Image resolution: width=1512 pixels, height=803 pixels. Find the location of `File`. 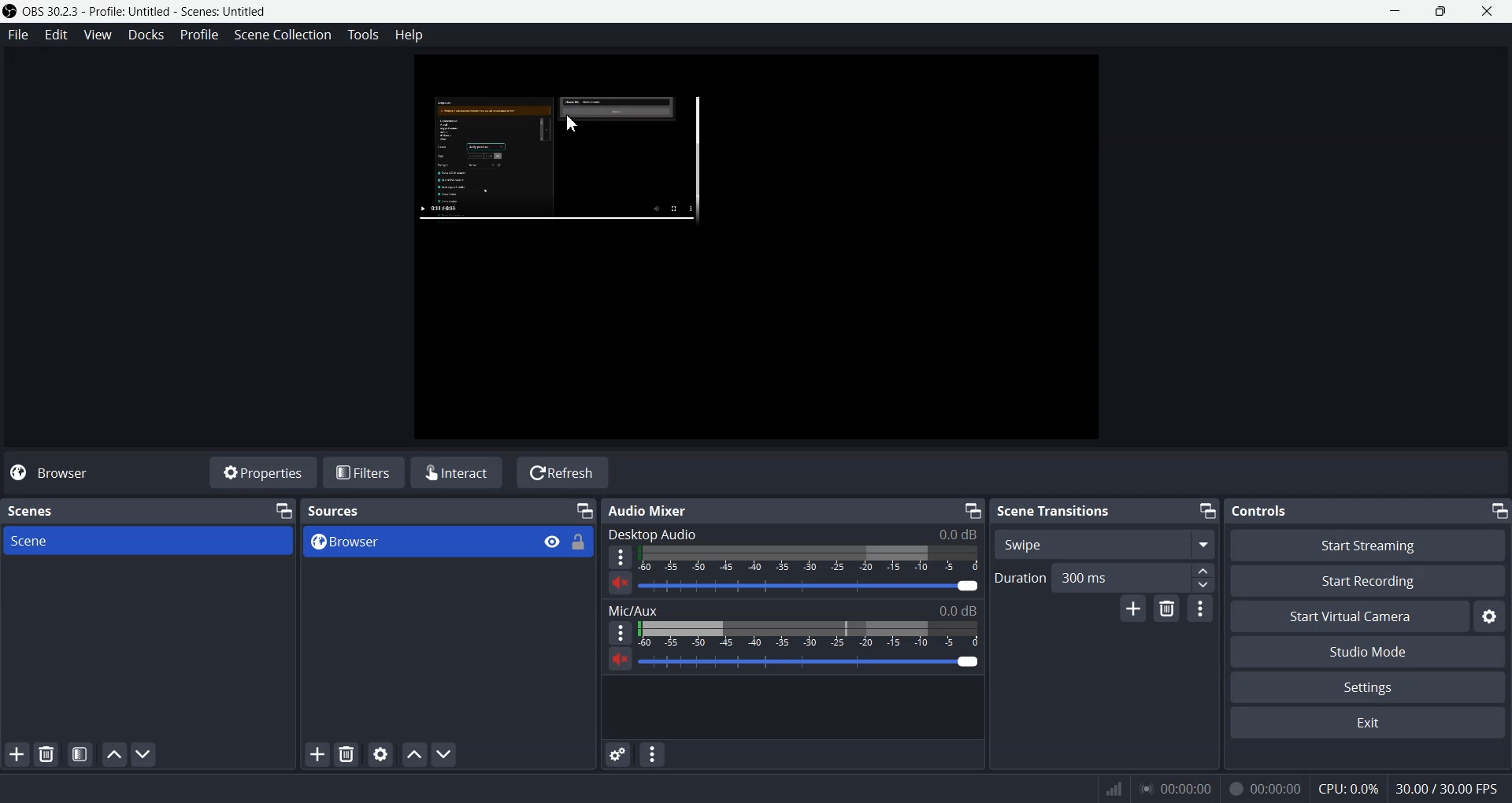

File is located at coordinates (17, 34).